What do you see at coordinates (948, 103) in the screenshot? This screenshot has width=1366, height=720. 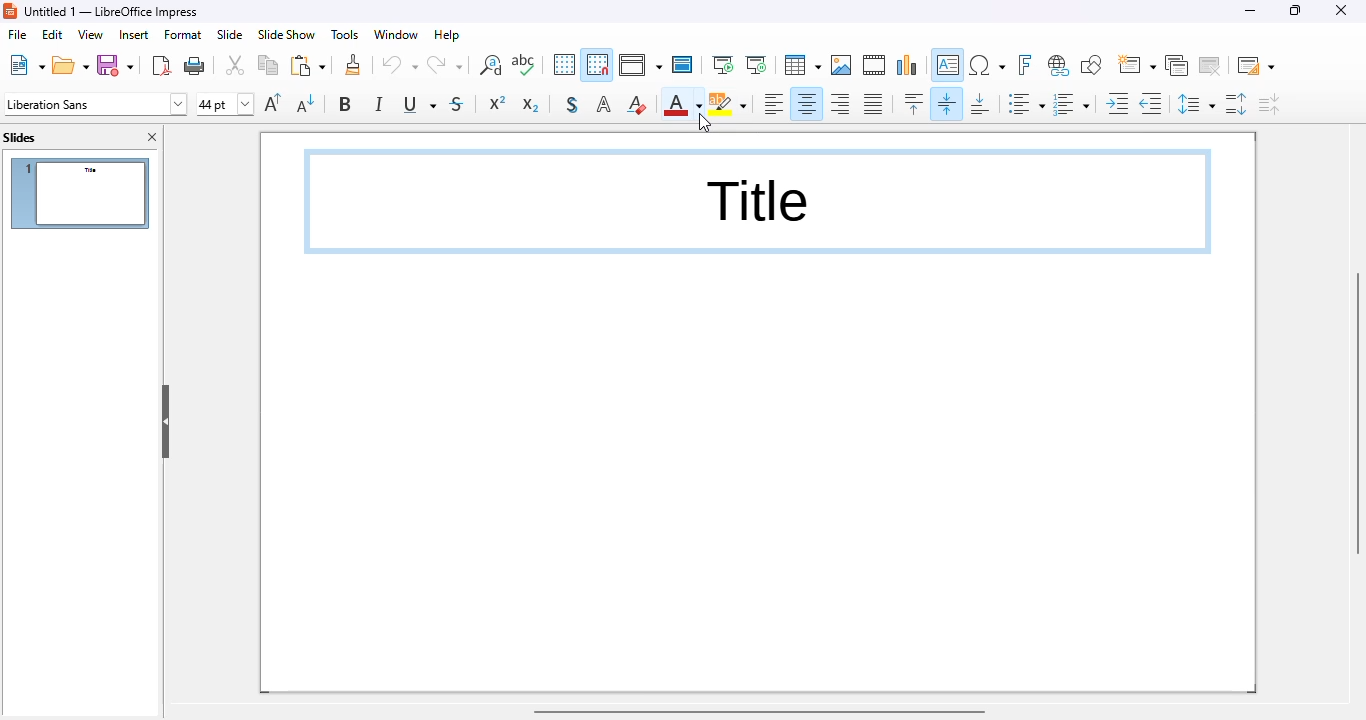 I see `center vertically` at bounding box center [948, 103].